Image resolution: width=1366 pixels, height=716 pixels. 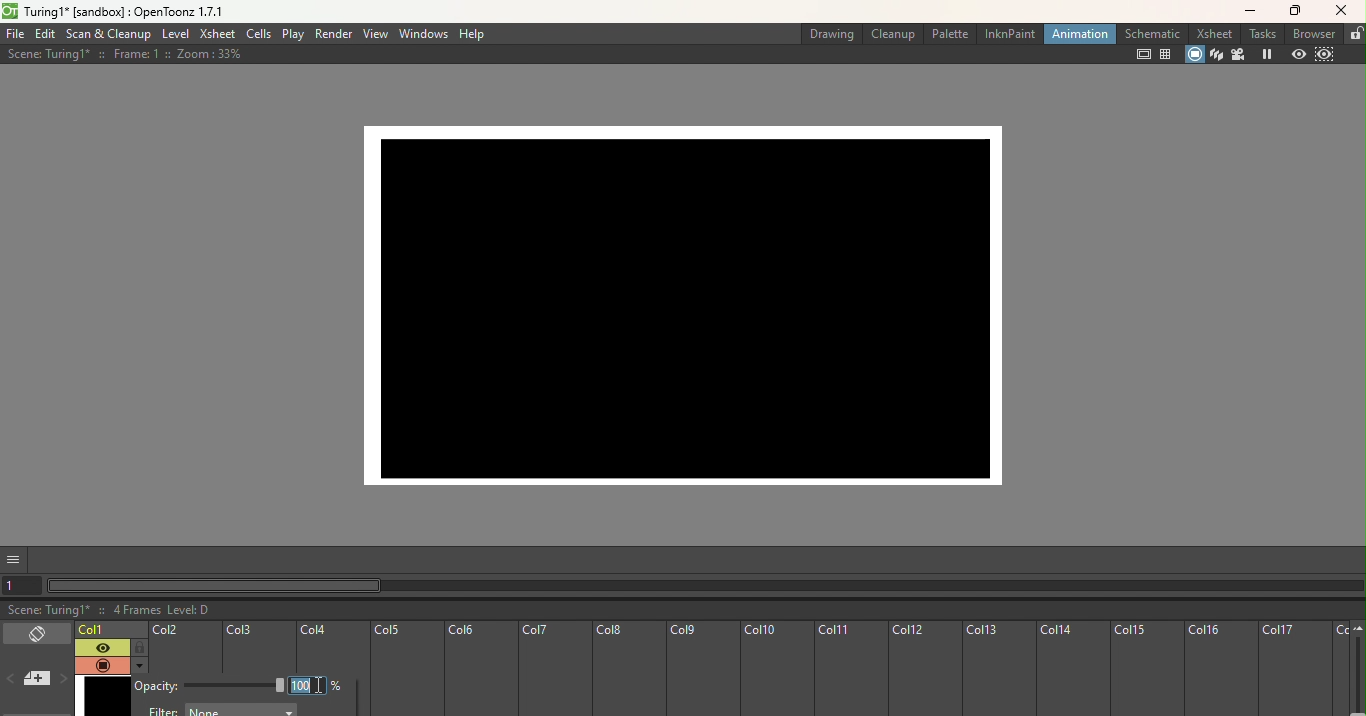 I want to click on Minimize, so click(x=1246, y=14).